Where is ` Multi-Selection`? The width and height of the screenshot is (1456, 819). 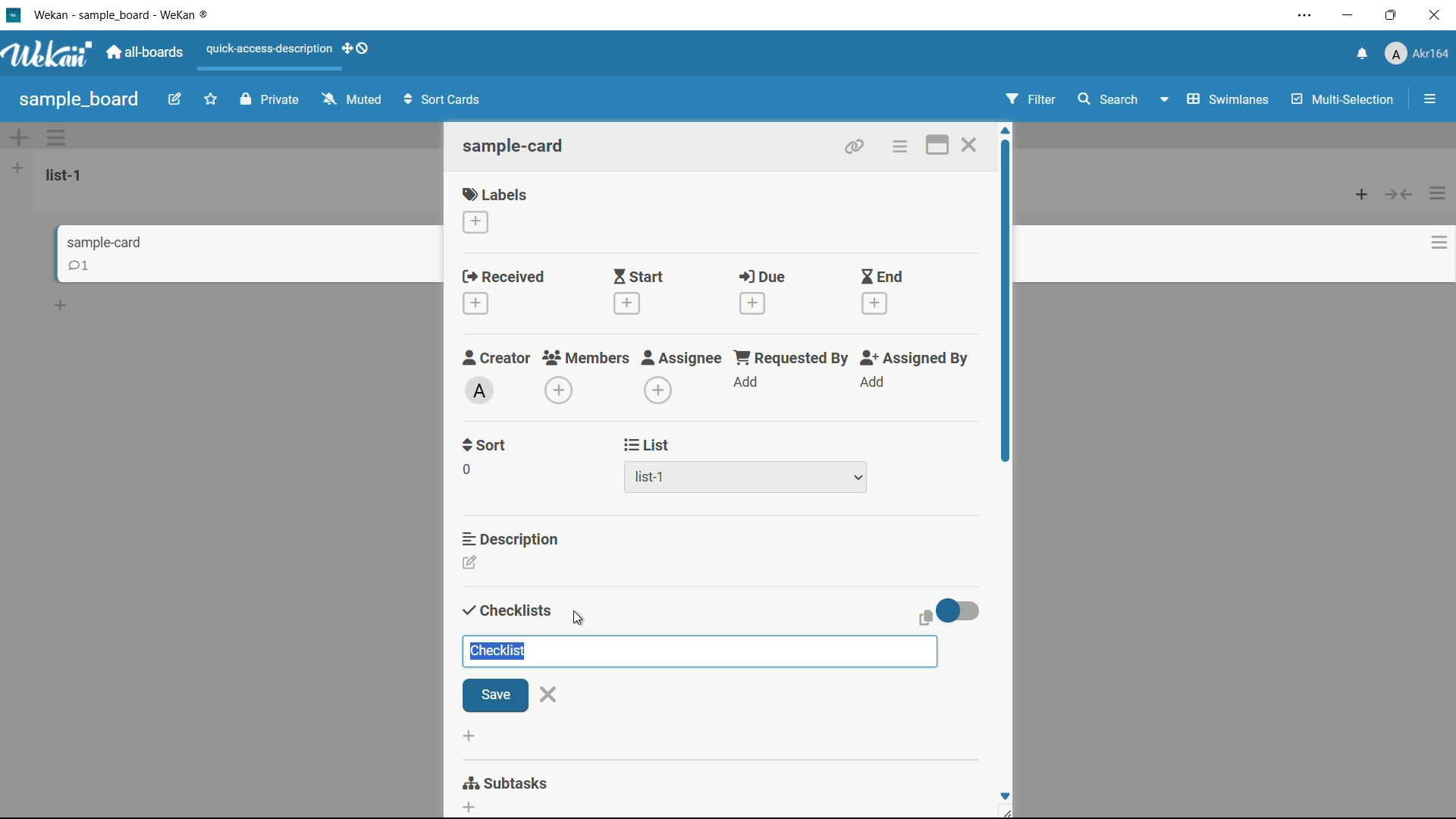
 Multi-Selection is located at coordinates (1345, 101).